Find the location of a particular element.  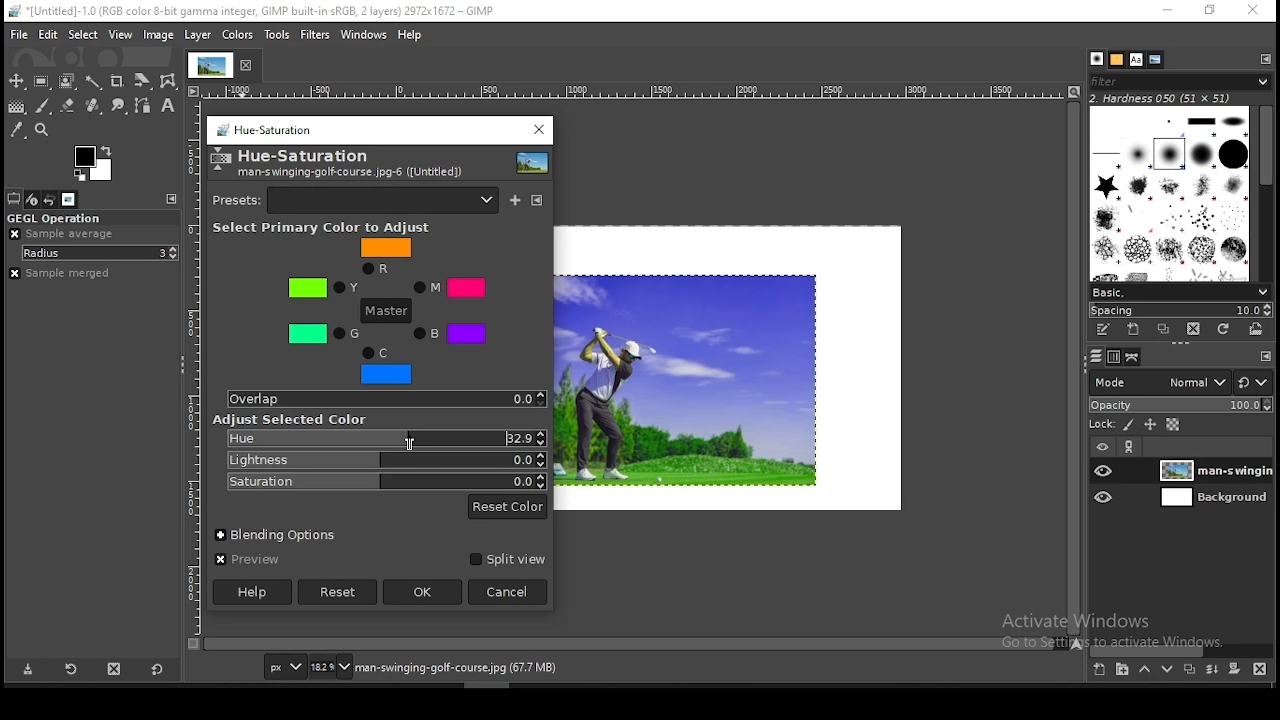

lightness is located at coordinates (385, 459).